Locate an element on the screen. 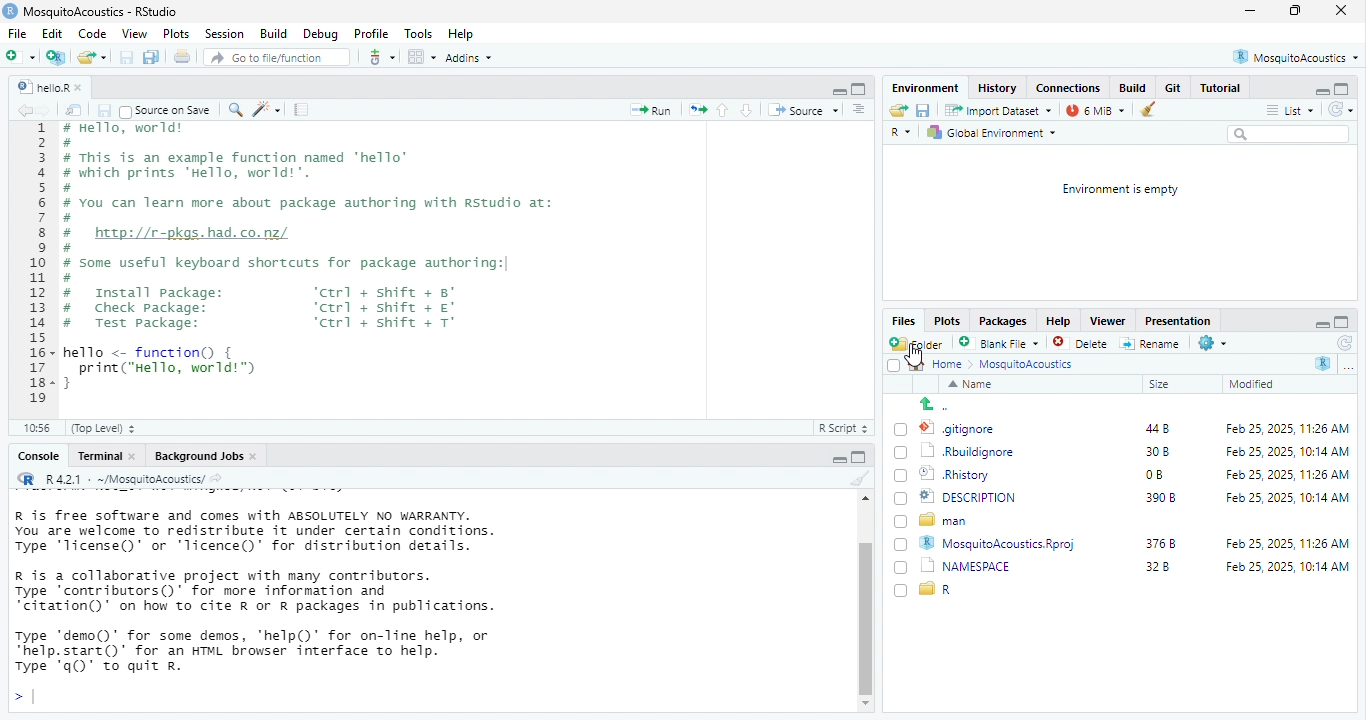 The height and width of the screenshot is (720, 1366). +
2
3
4
5
6
7
8
9

10
11
12
13
14
15
16
17
18
19 is located at coordinates (34, 268).